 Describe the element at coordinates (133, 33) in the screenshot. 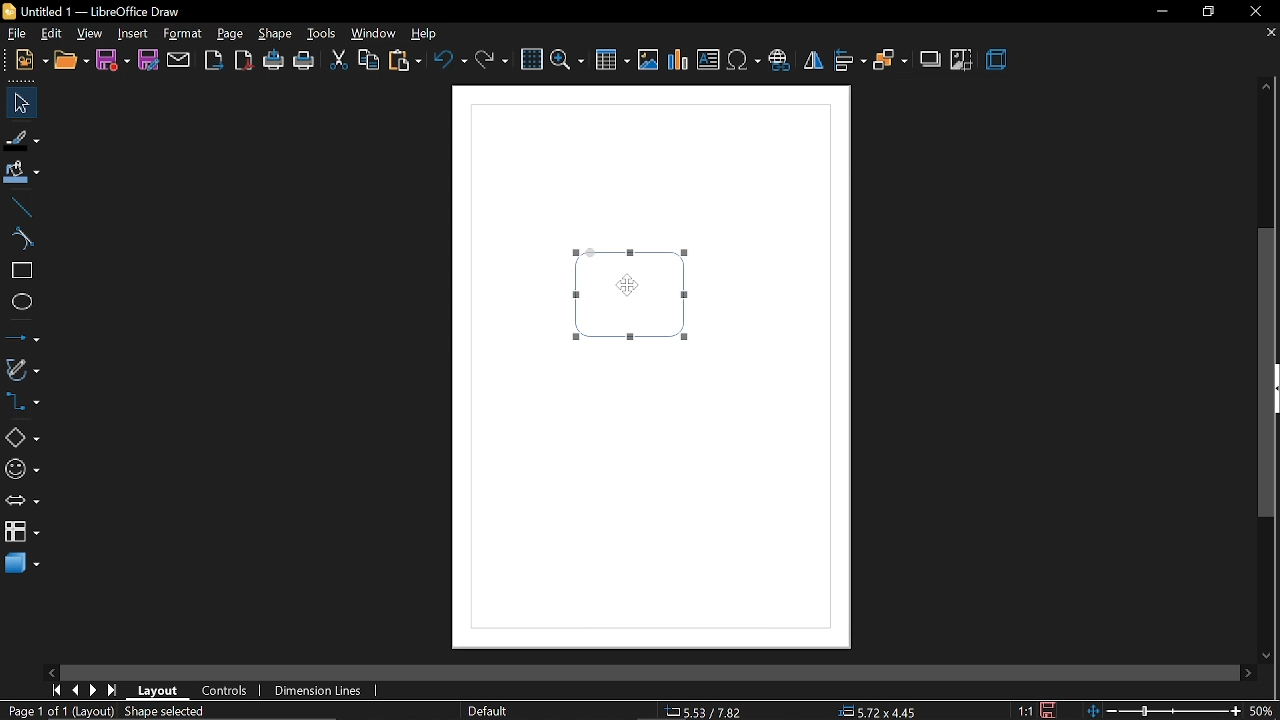

I see `insert` at that location.